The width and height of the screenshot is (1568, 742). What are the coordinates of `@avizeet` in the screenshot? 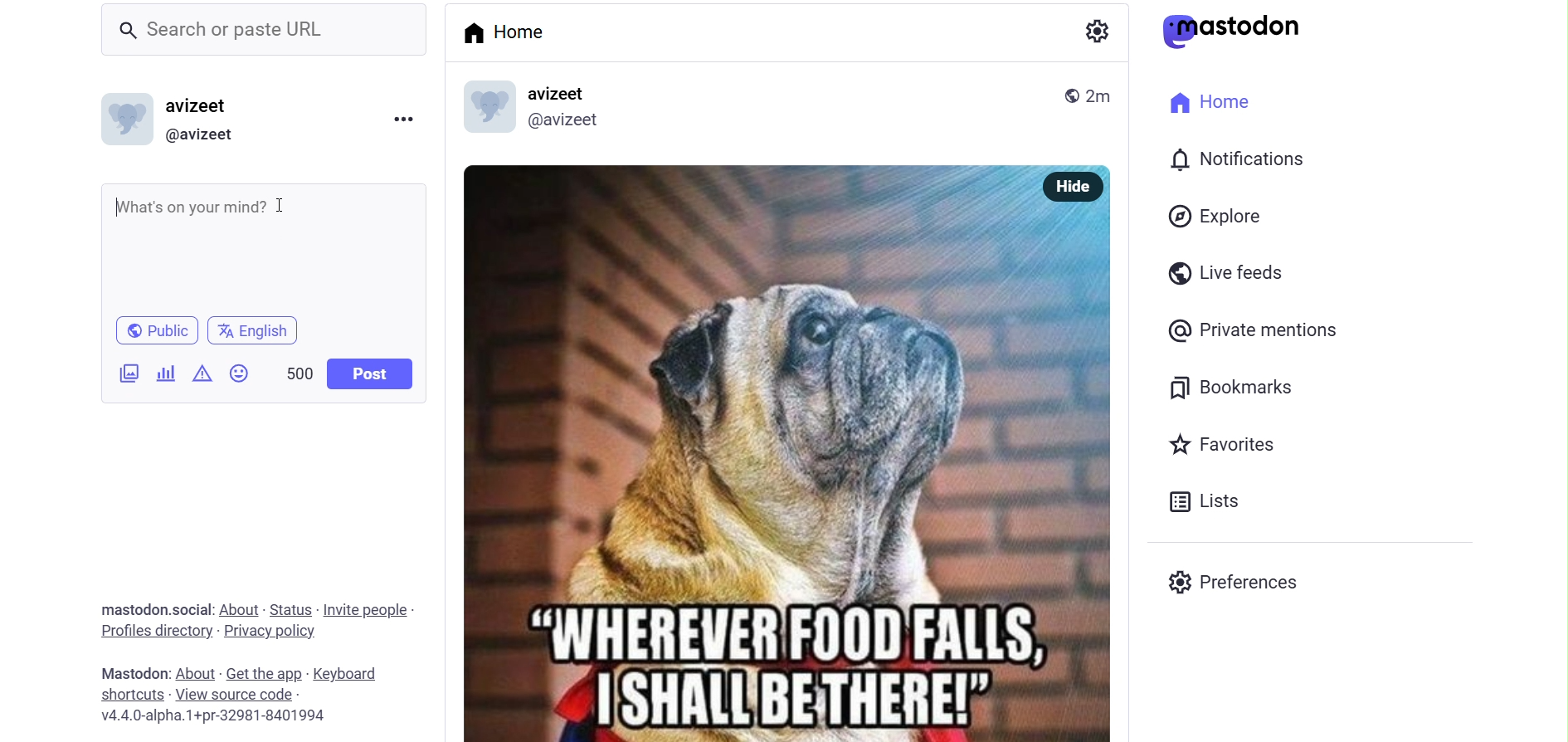 It's located at (567, 121).